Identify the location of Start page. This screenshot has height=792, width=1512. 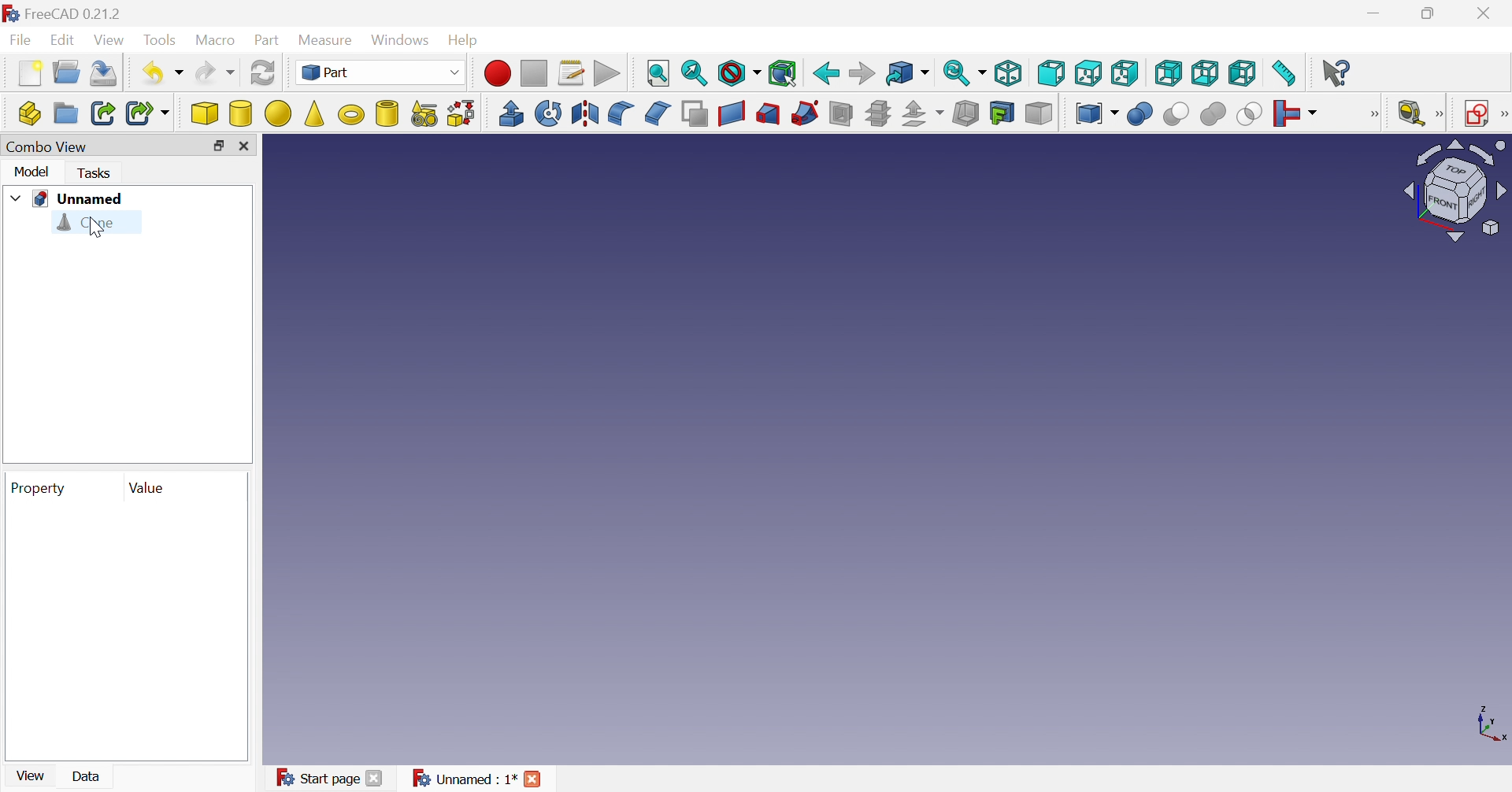
(317, 779).